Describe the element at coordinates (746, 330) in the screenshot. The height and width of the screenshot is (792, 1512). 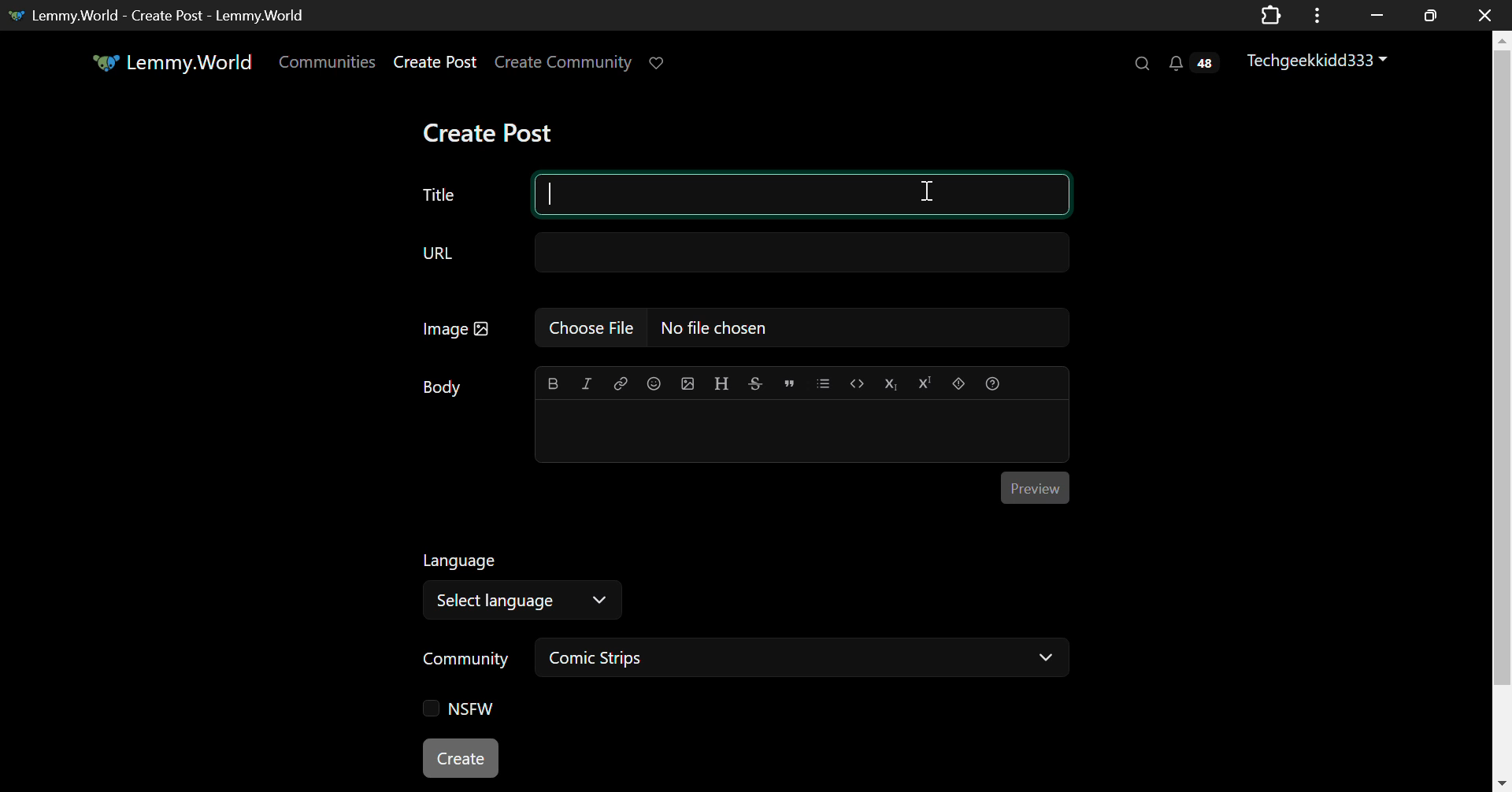
I see `Image: No File Chosen` at that location.